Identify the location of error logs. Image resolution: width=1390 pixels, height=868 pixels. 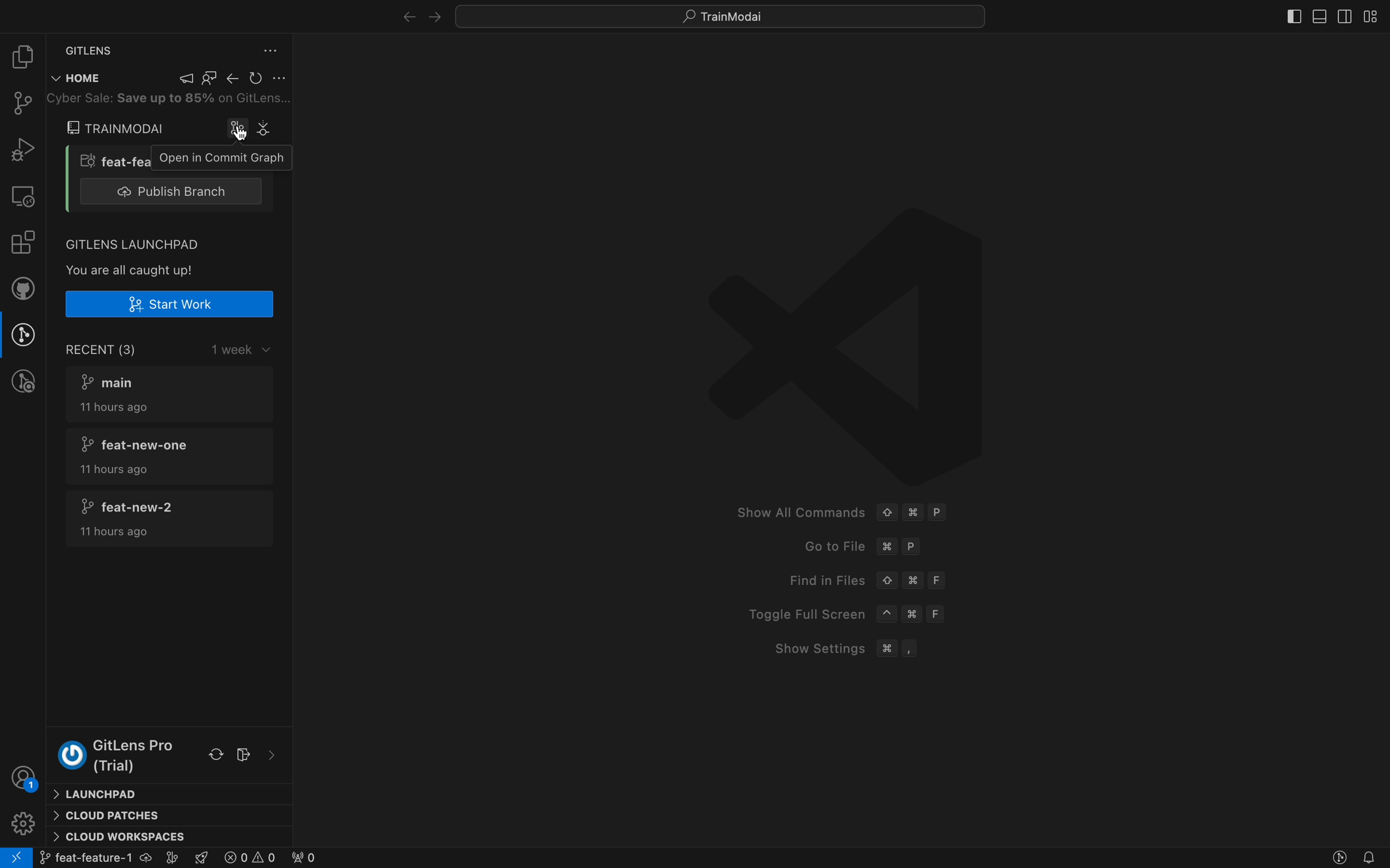
(269, 858).